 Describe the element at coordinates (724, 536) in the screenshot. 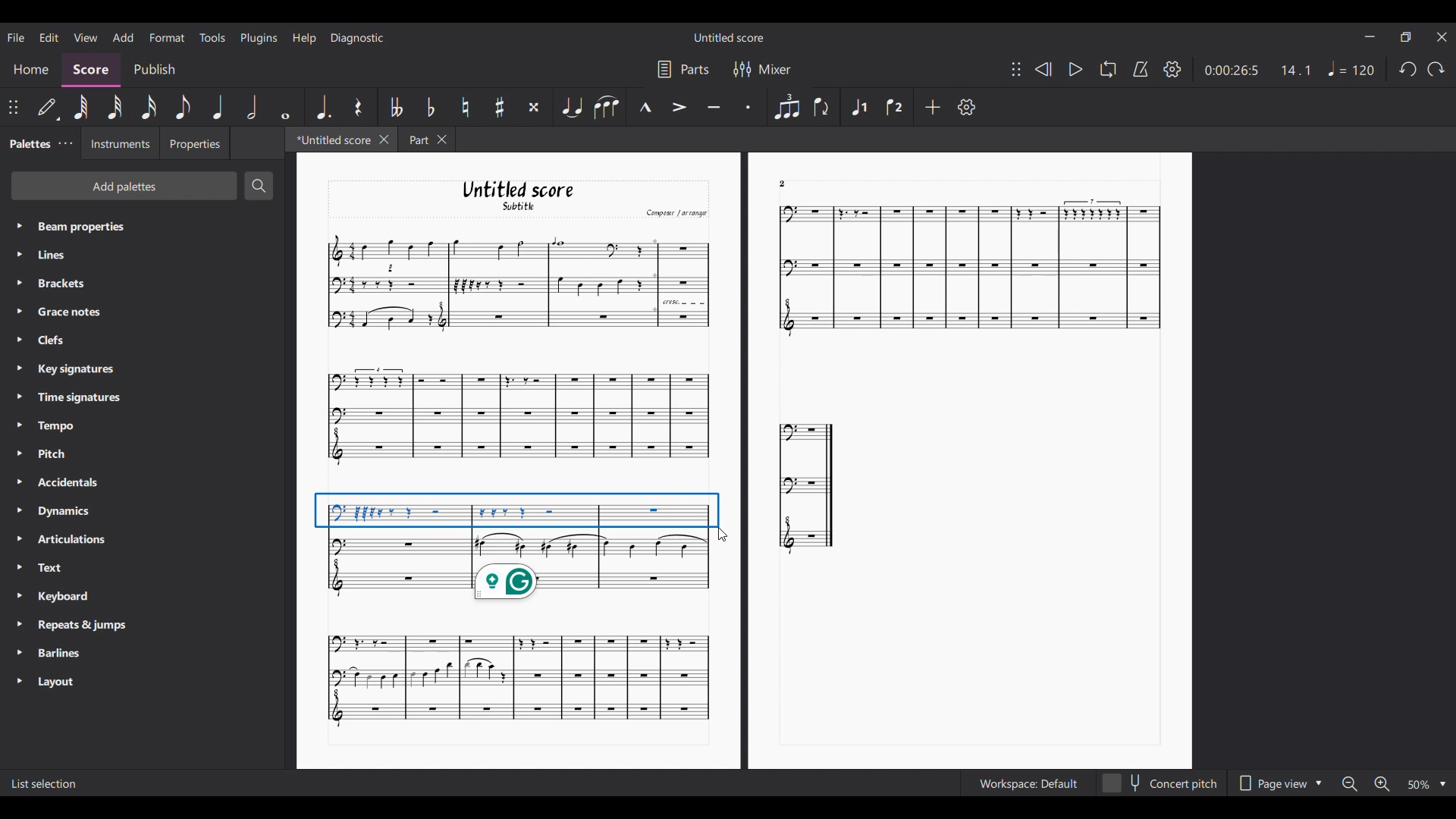

I see `cursor` at that location.